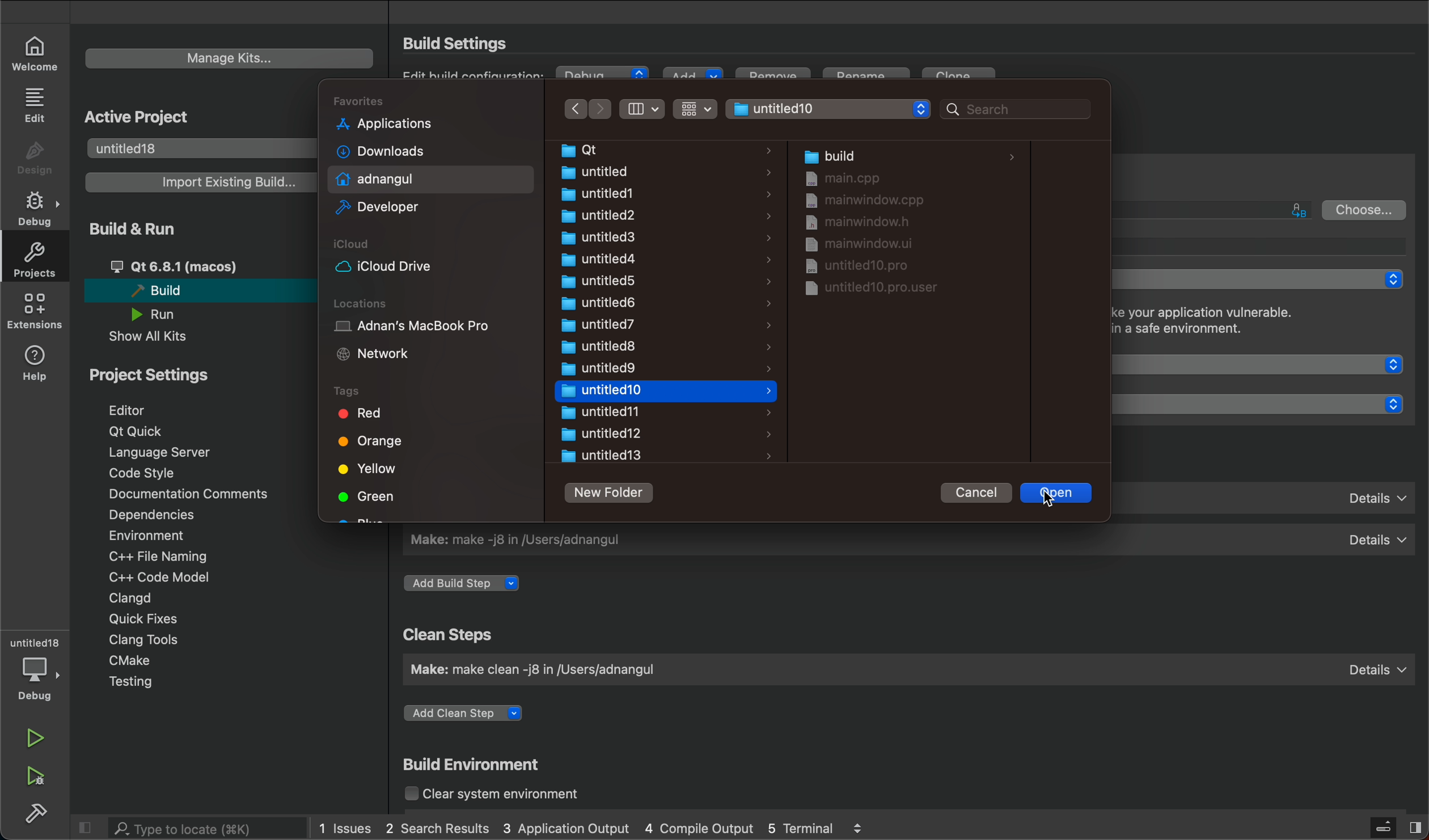 Image resolution: width=1429 pixels, height=840 pixels. I want to click on Yellow, so click(371, 468).